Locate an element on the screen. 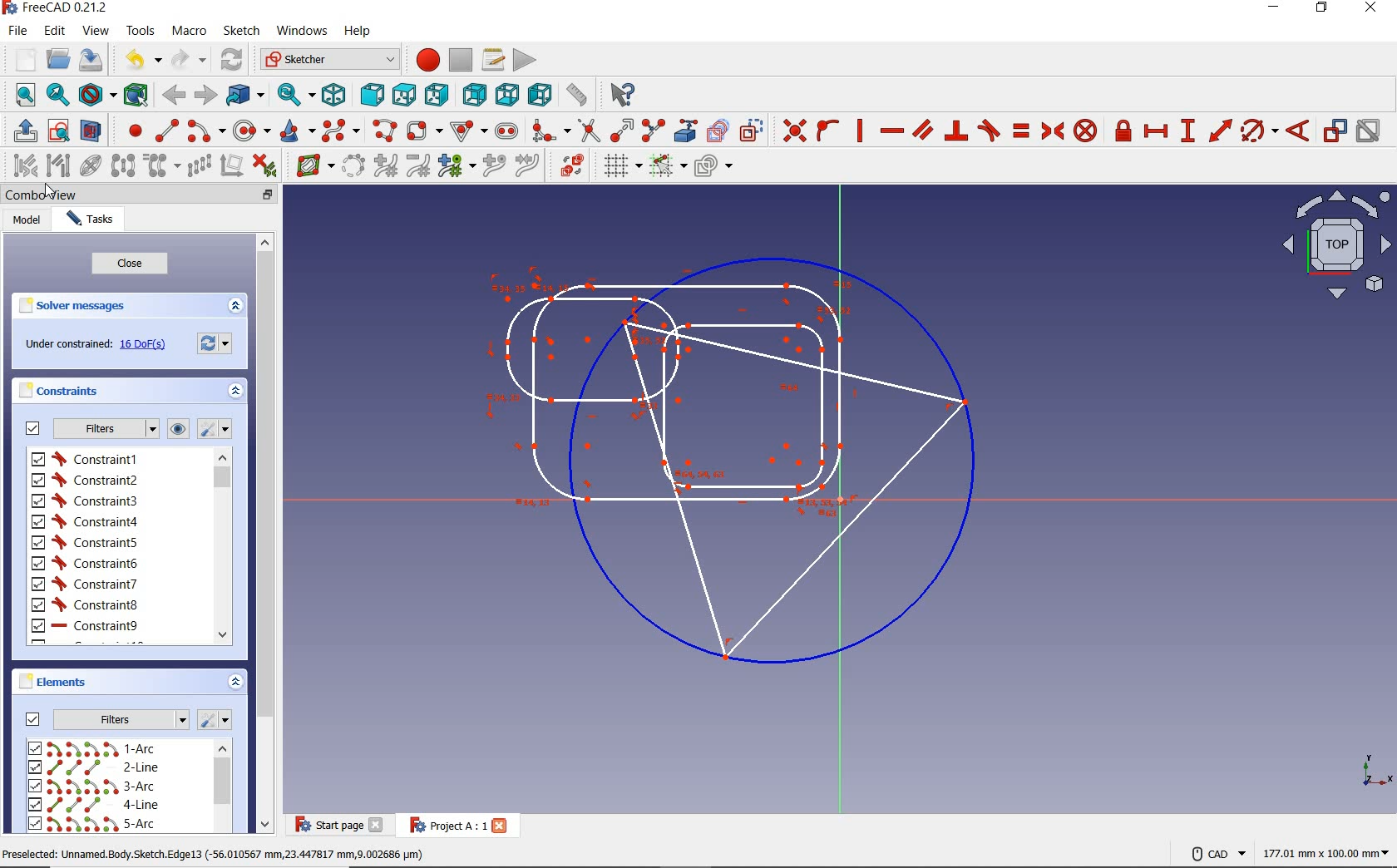  constrain symmetrical is located at coordinates (1052, 131).